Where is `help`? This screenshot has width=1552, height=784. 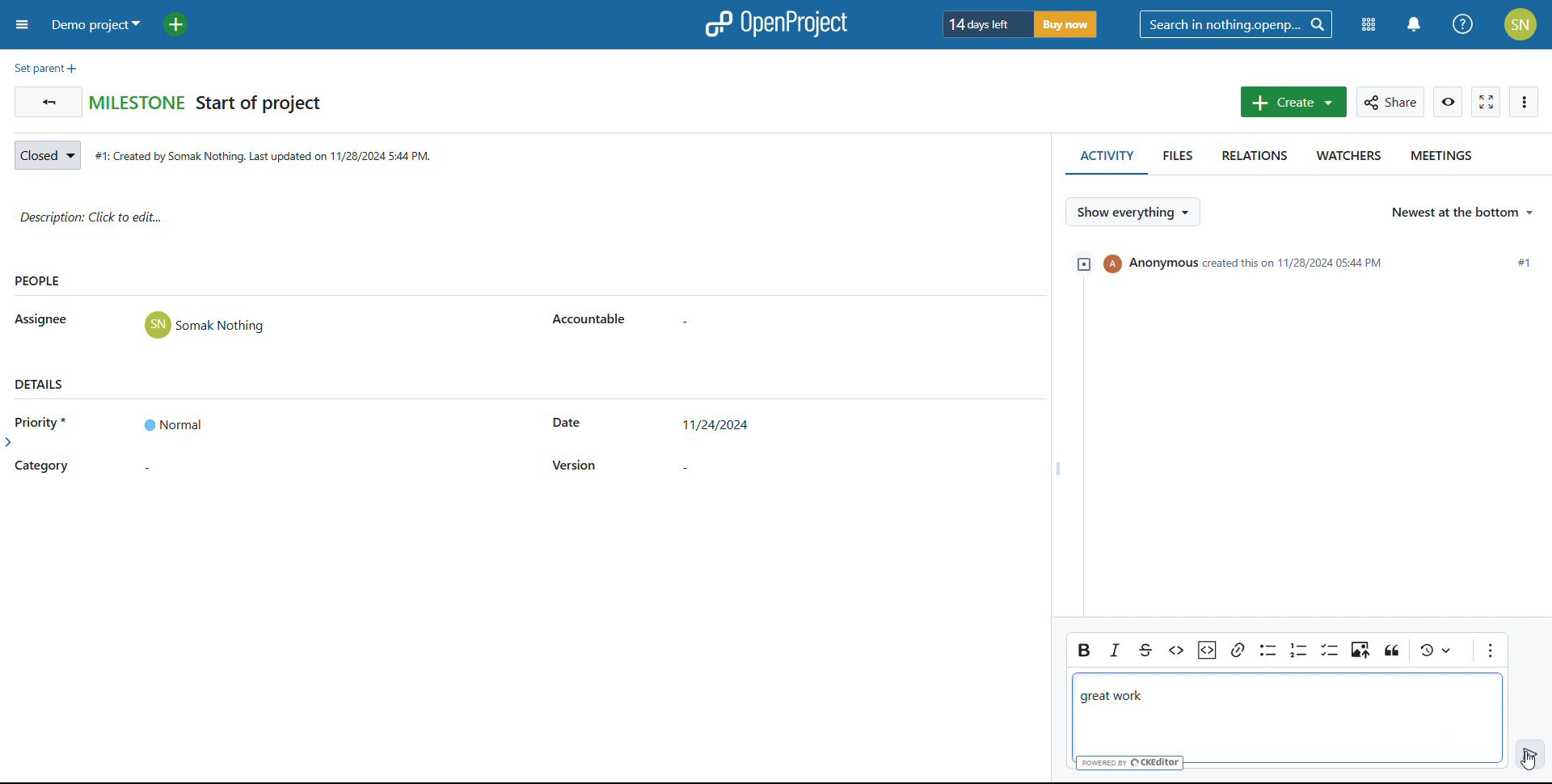
help is located at coordinates (1462, 24).